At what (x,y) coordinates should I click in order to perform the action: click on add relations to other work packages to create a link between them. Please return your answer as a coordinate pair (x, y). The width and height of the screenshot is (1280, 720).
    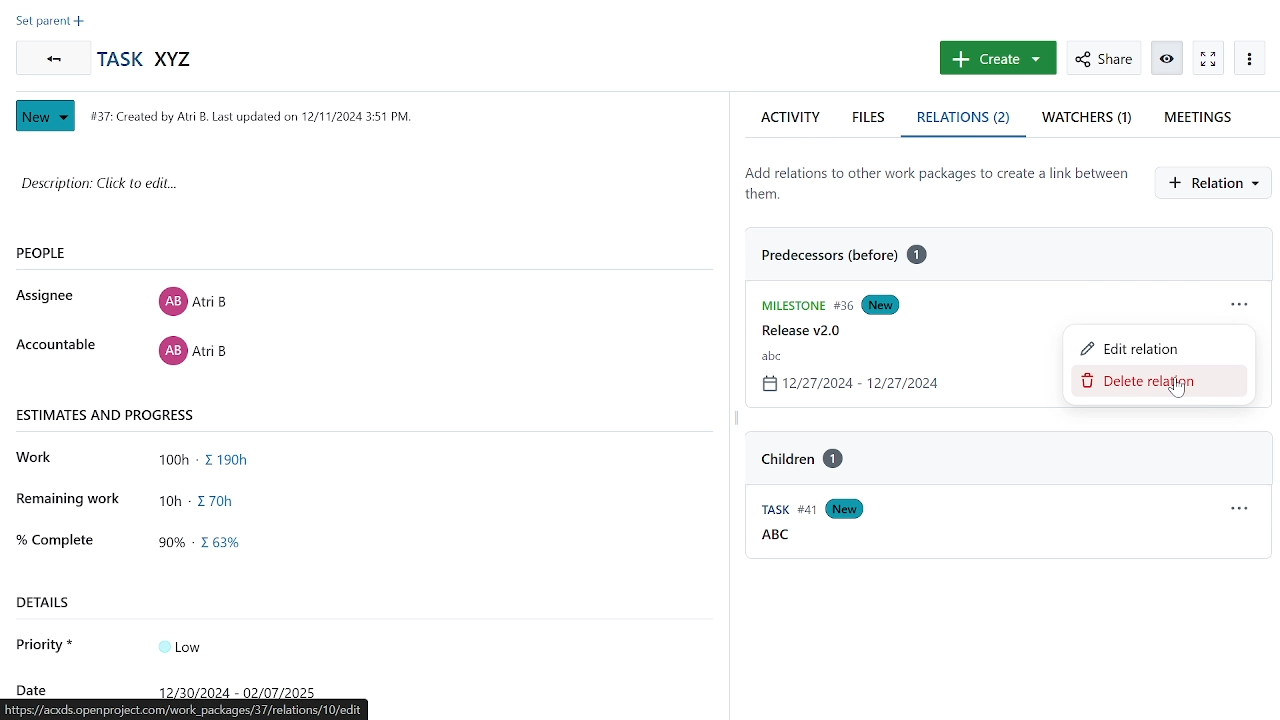
    Looking at the image, I should click on (936, 183).